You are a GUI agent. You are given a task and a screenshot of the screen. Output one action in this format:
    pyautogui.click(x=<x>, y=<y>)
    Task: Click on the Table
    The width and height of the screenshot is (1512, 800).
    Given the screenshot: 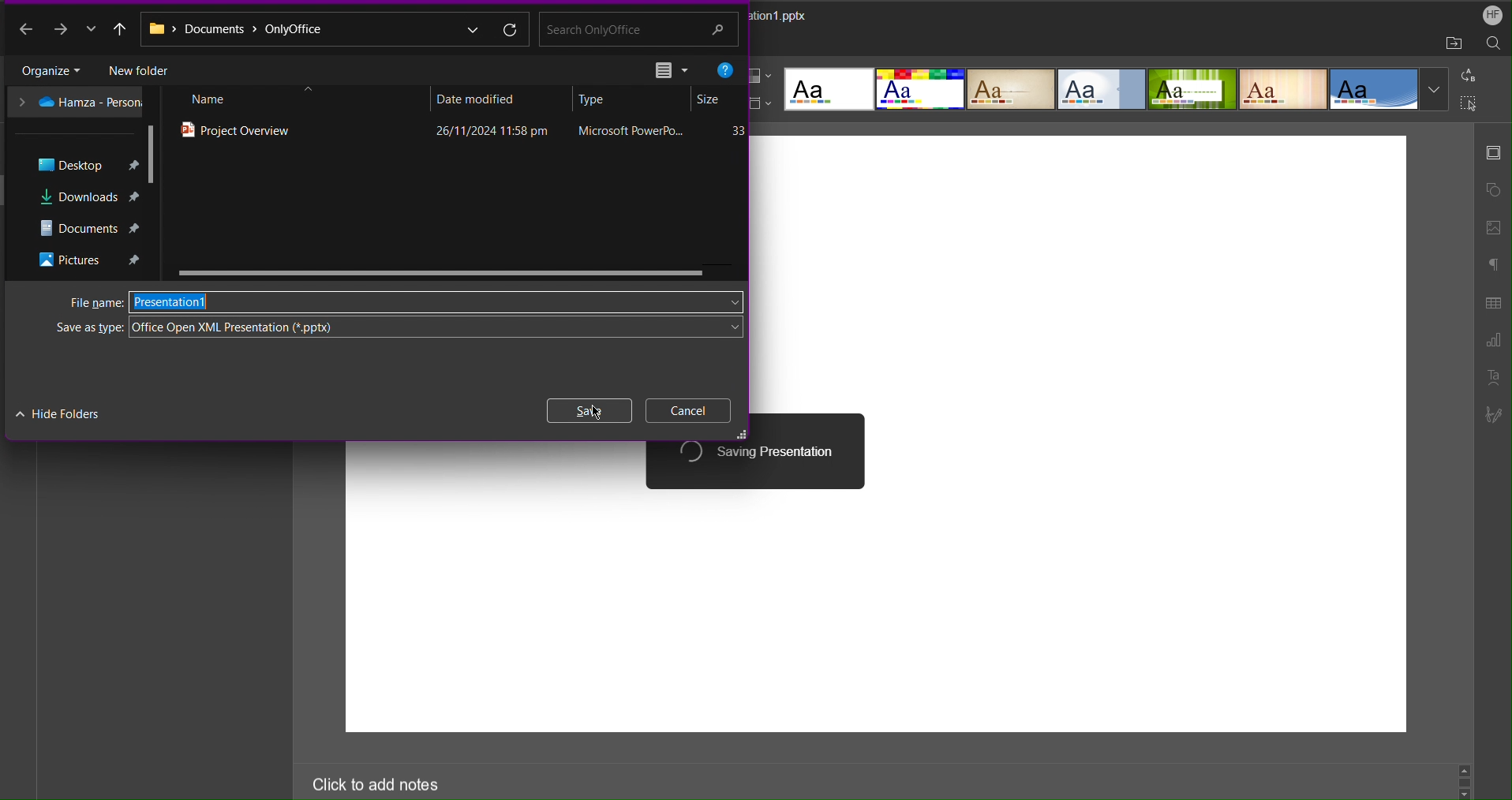 What is the action you would take?
    pyautogui.click(x=1492, y=303)
    